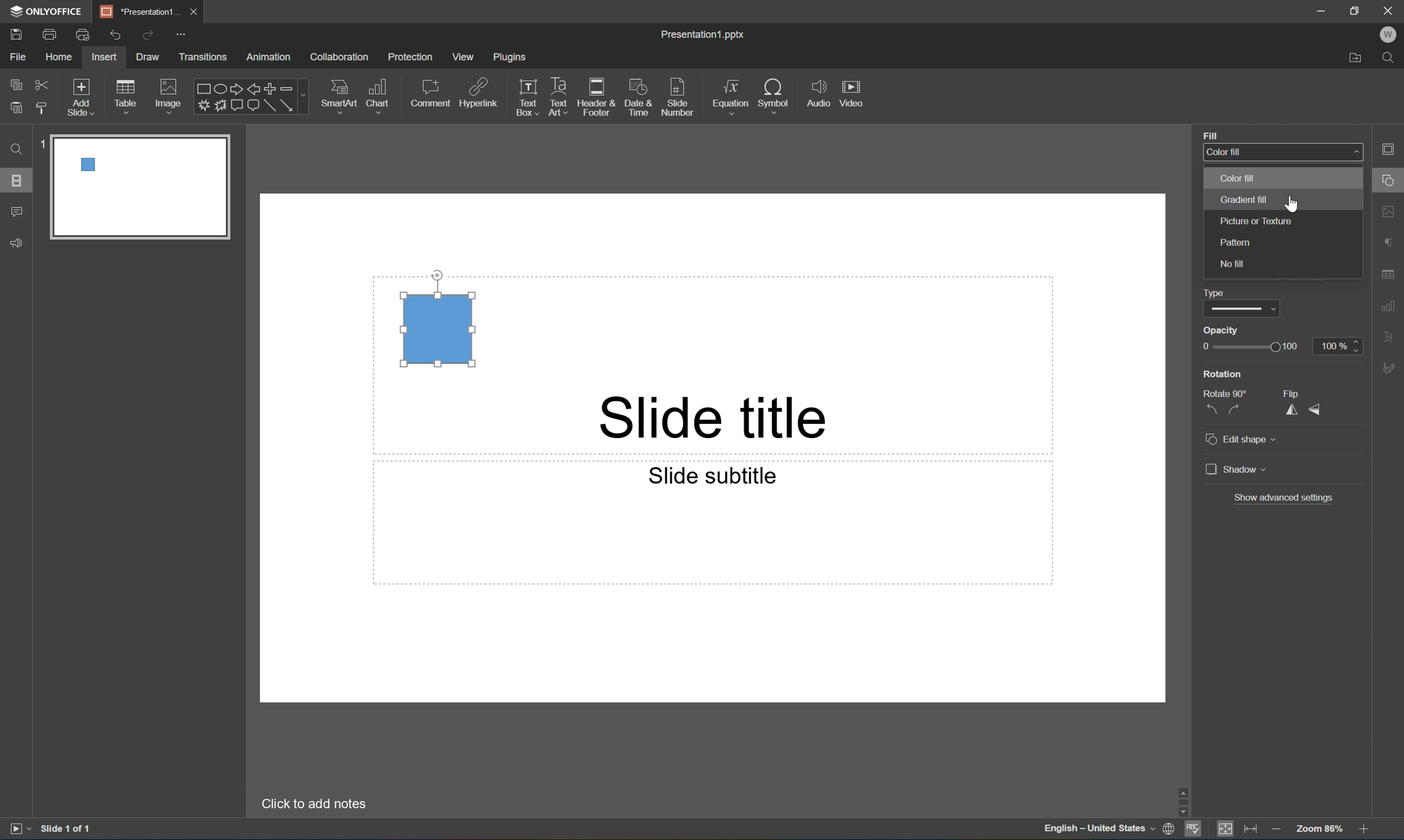  What do you see at coordinates (147, 36) in the screenshot?
I see `Redo` at bounding box center [147, 36].